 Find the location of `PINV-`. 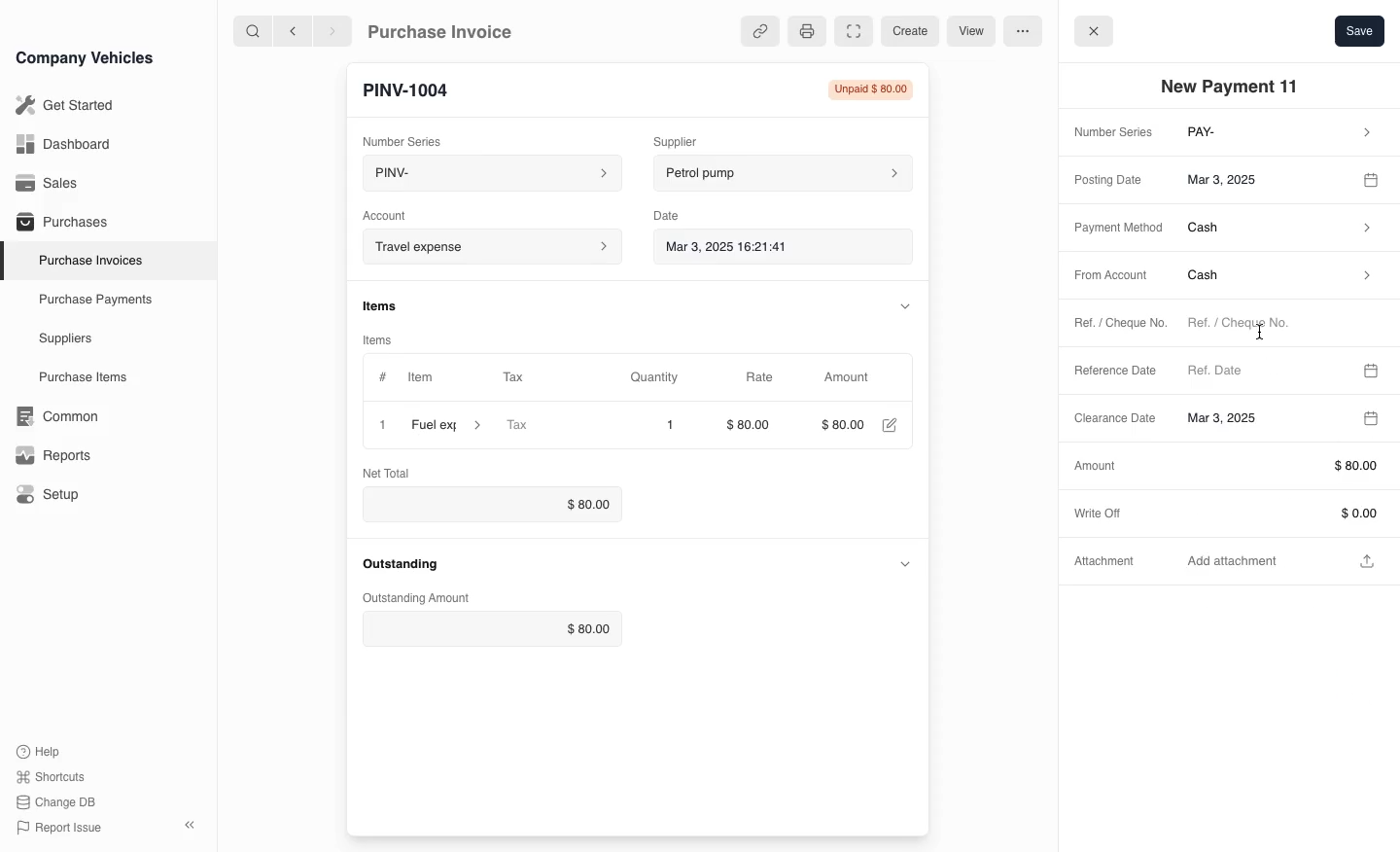

PINV- is located at coordinates (482, 175).